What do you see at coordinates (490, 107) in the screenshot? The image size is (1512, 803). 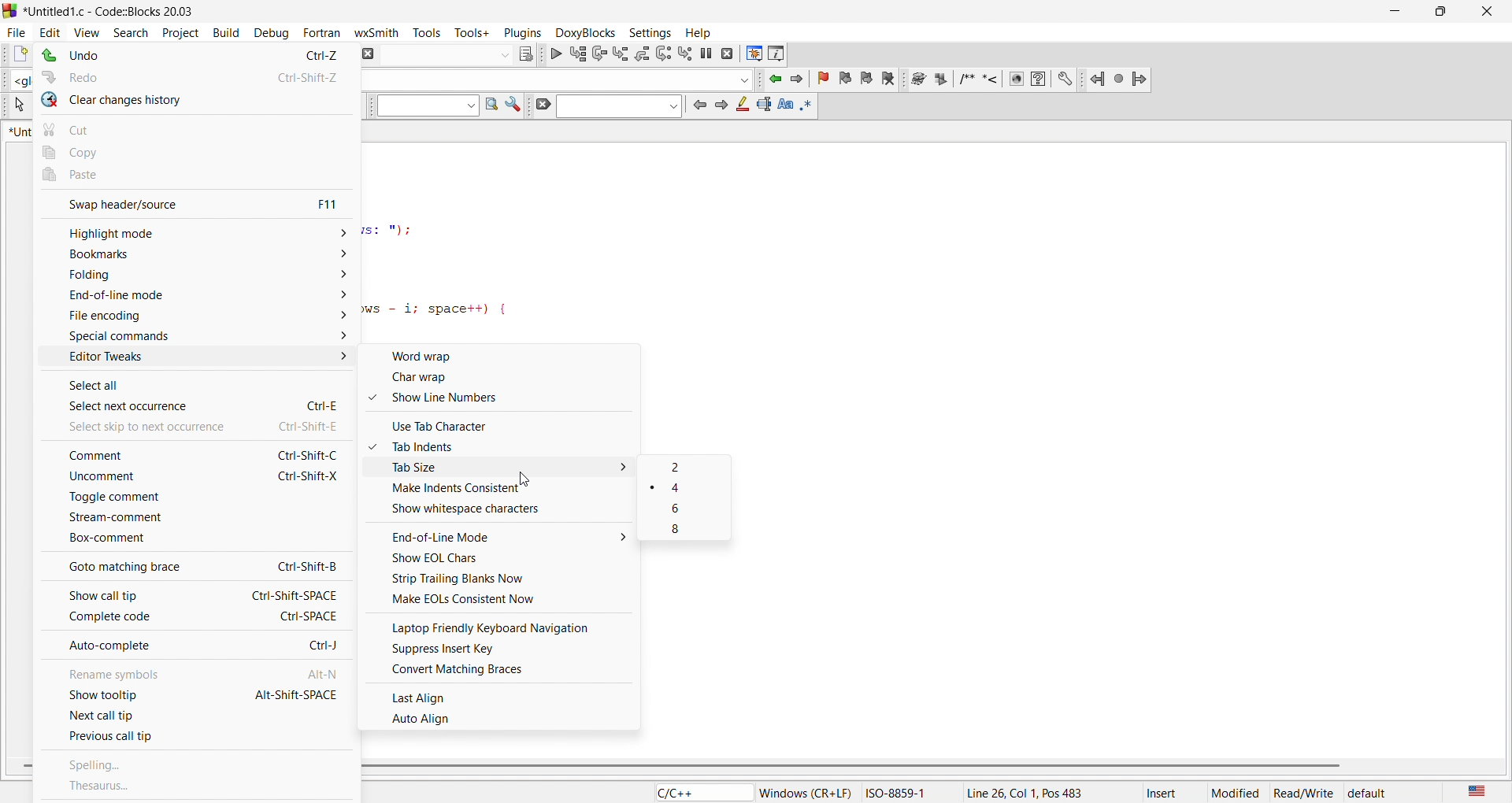 I see `find in page` at bounding box center [490, 107].